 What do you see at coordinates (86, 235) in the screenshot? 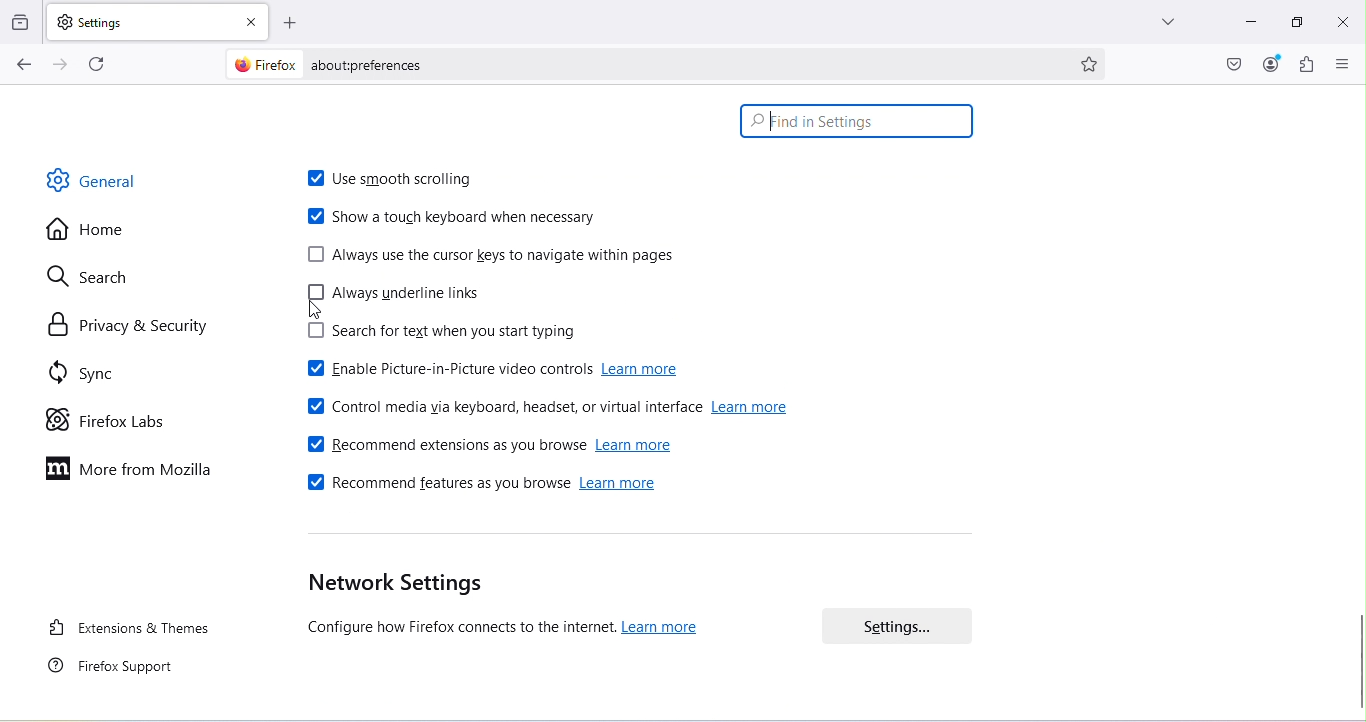
I see `Home` at bounding box center [86, 235].